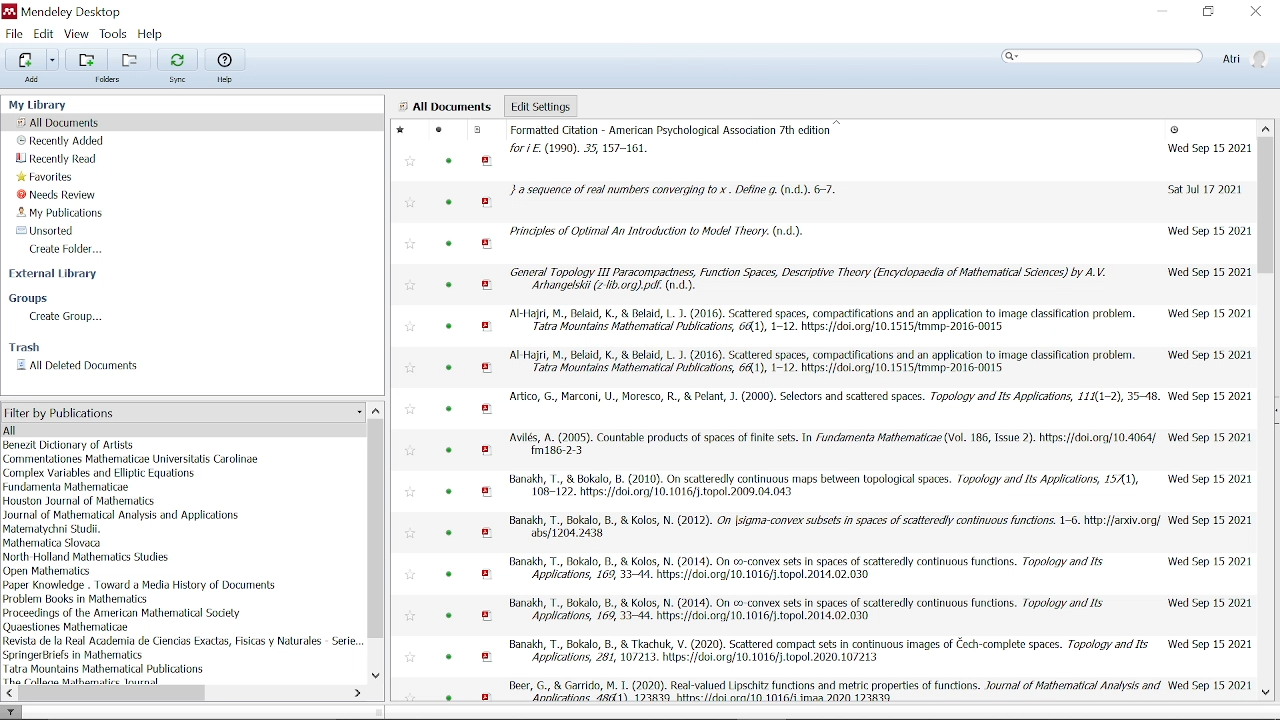 Image resolution: width=1280 pixels, height=720 pixels. What do you see at coordinates (450, 369) in the screenshot?
I see `status` at bounding box center [450, 369].